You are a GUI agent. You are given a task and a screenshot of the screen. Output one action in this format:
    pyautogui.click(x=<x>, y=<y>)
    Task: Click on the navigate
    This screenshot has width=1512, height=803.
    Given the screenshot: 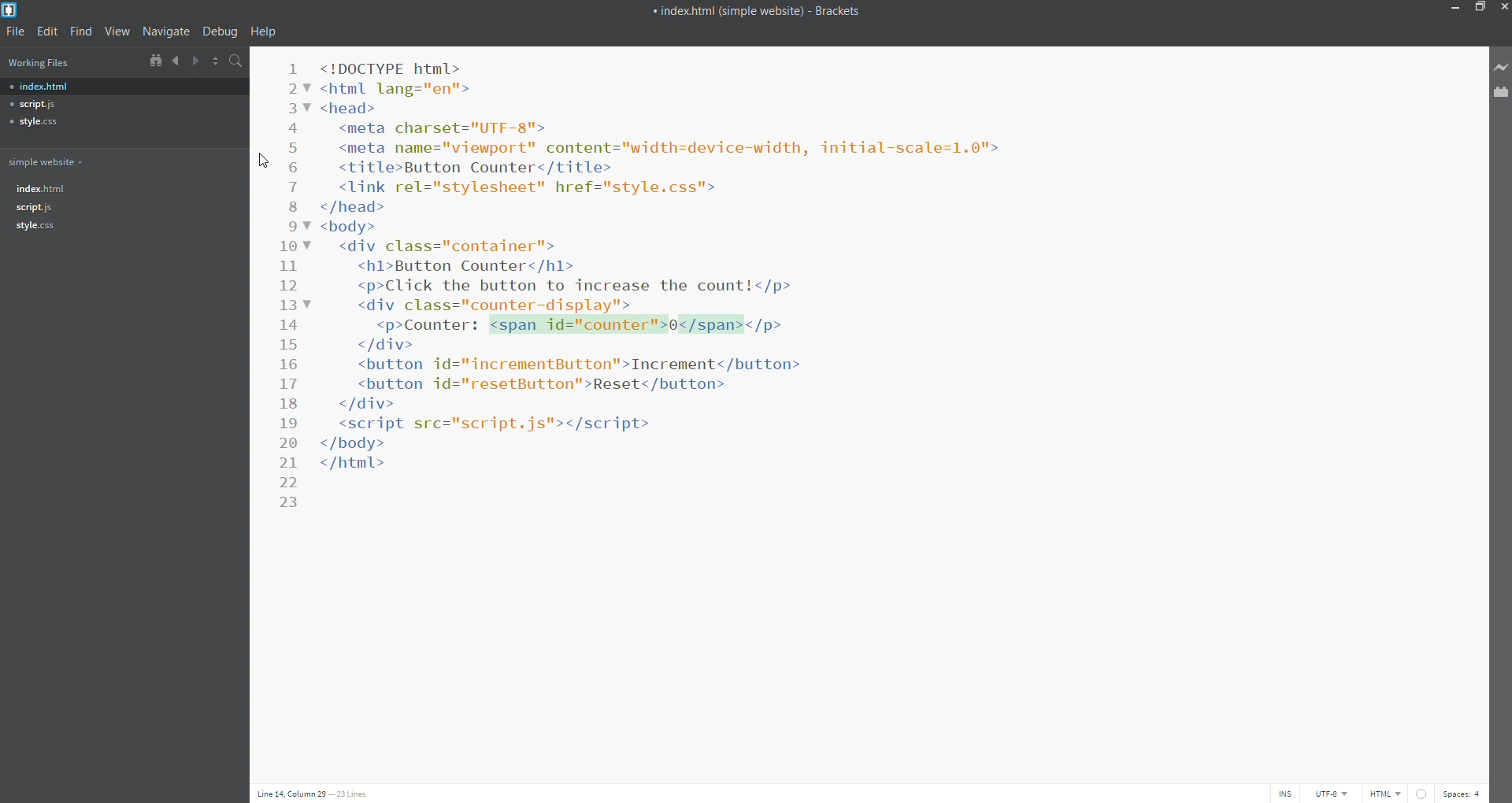 What is the action you would take?
    pyautogui.click(x=169, y=31)
    